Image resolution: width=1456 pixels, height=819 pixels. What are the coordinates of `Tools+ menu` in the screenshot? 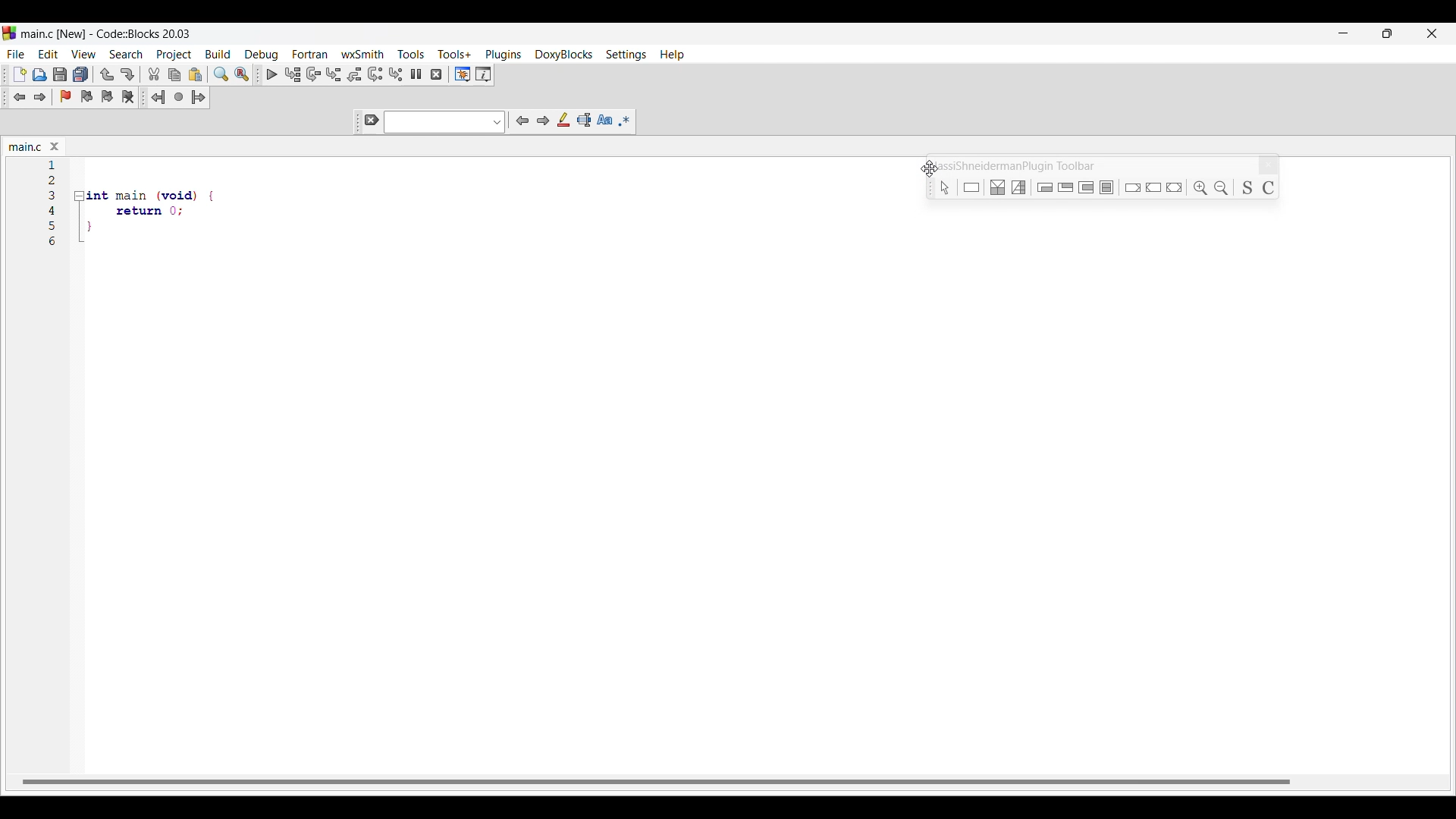 It's located at (454, 54).